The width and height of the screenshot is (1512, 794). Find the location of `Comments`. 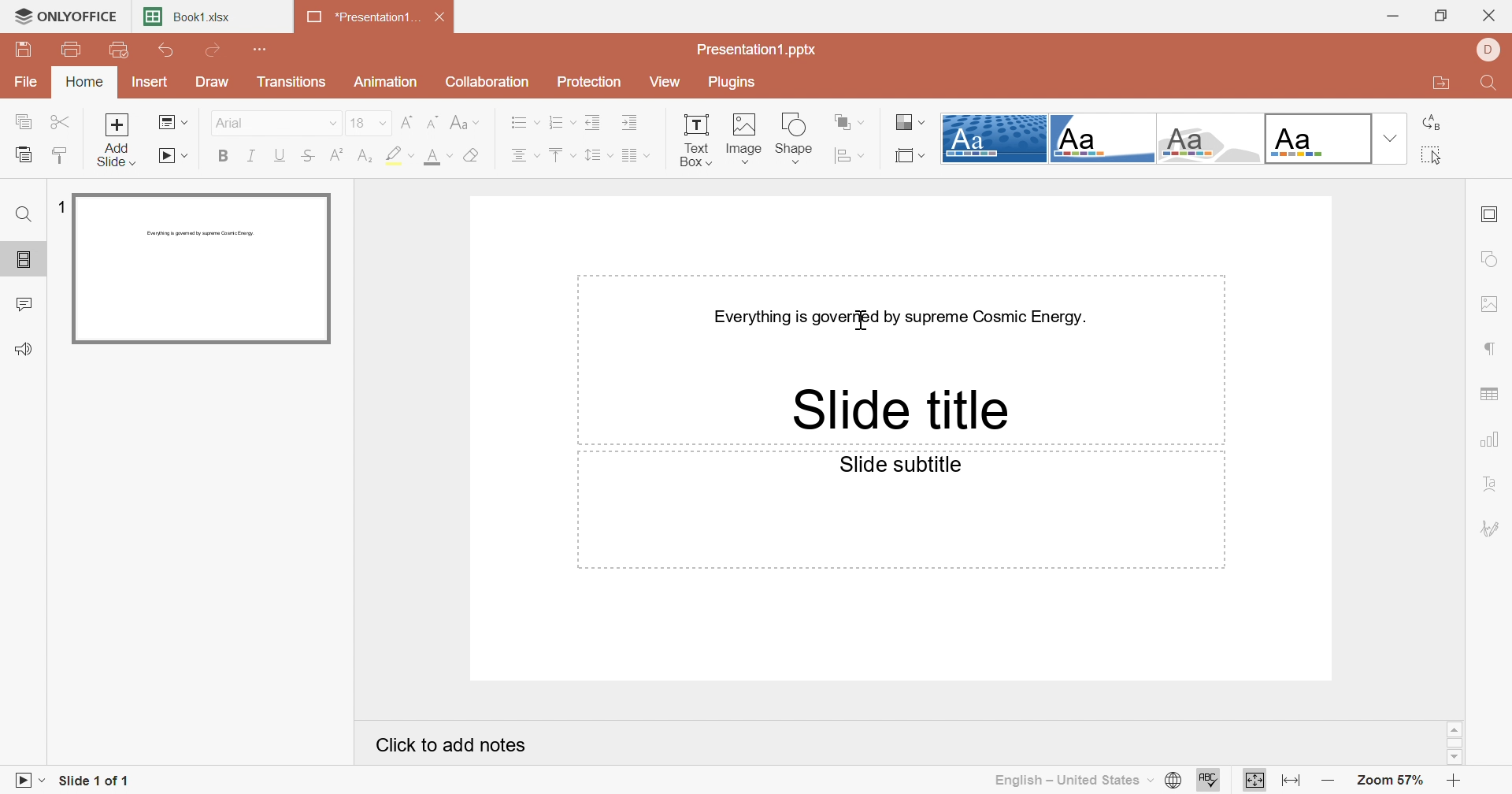

Comments is located at coordinates (24, 303).